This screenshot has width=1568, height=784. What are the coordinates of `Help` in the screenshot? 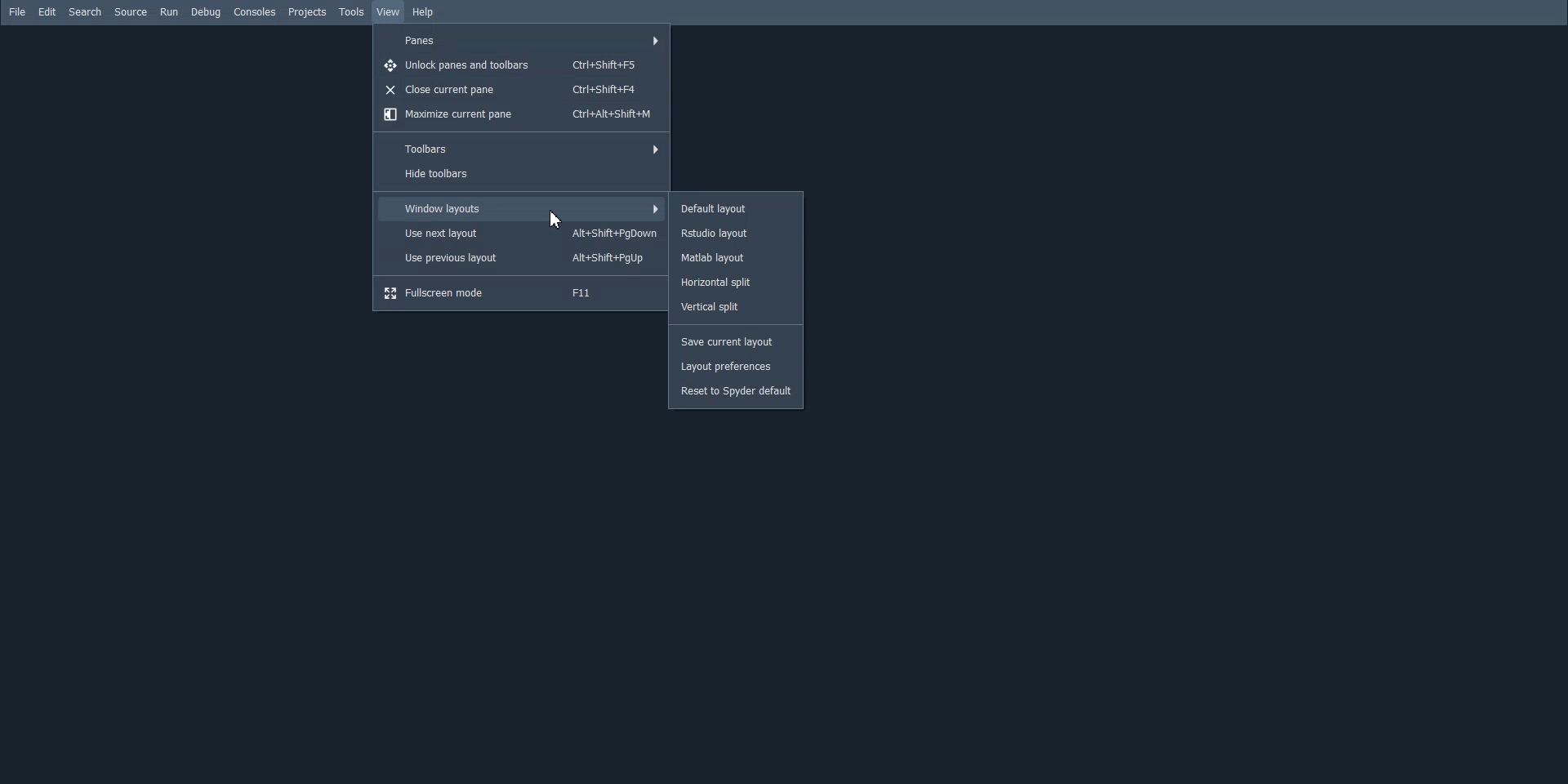 It's located at (424, 13).